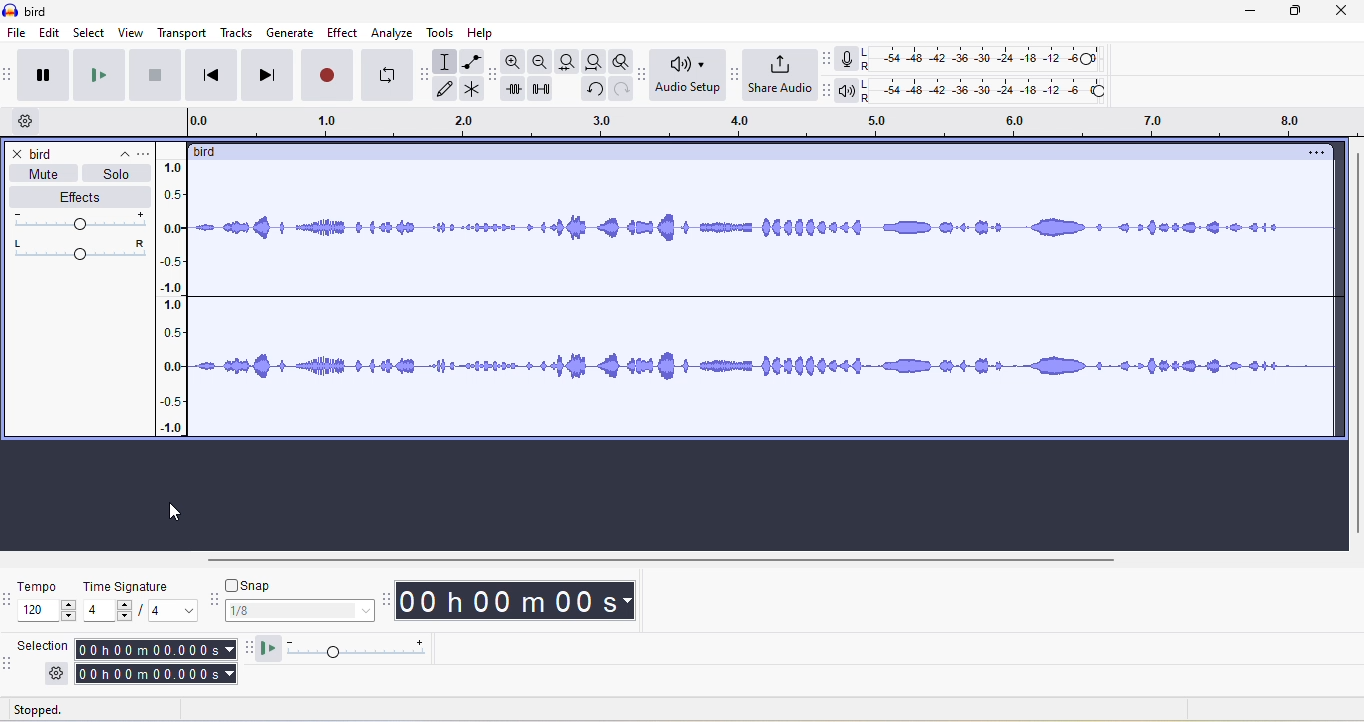  Describe the element at coordinates (822, 58) in the screenshot. I see `audacity recording meter toolbar` at that location.